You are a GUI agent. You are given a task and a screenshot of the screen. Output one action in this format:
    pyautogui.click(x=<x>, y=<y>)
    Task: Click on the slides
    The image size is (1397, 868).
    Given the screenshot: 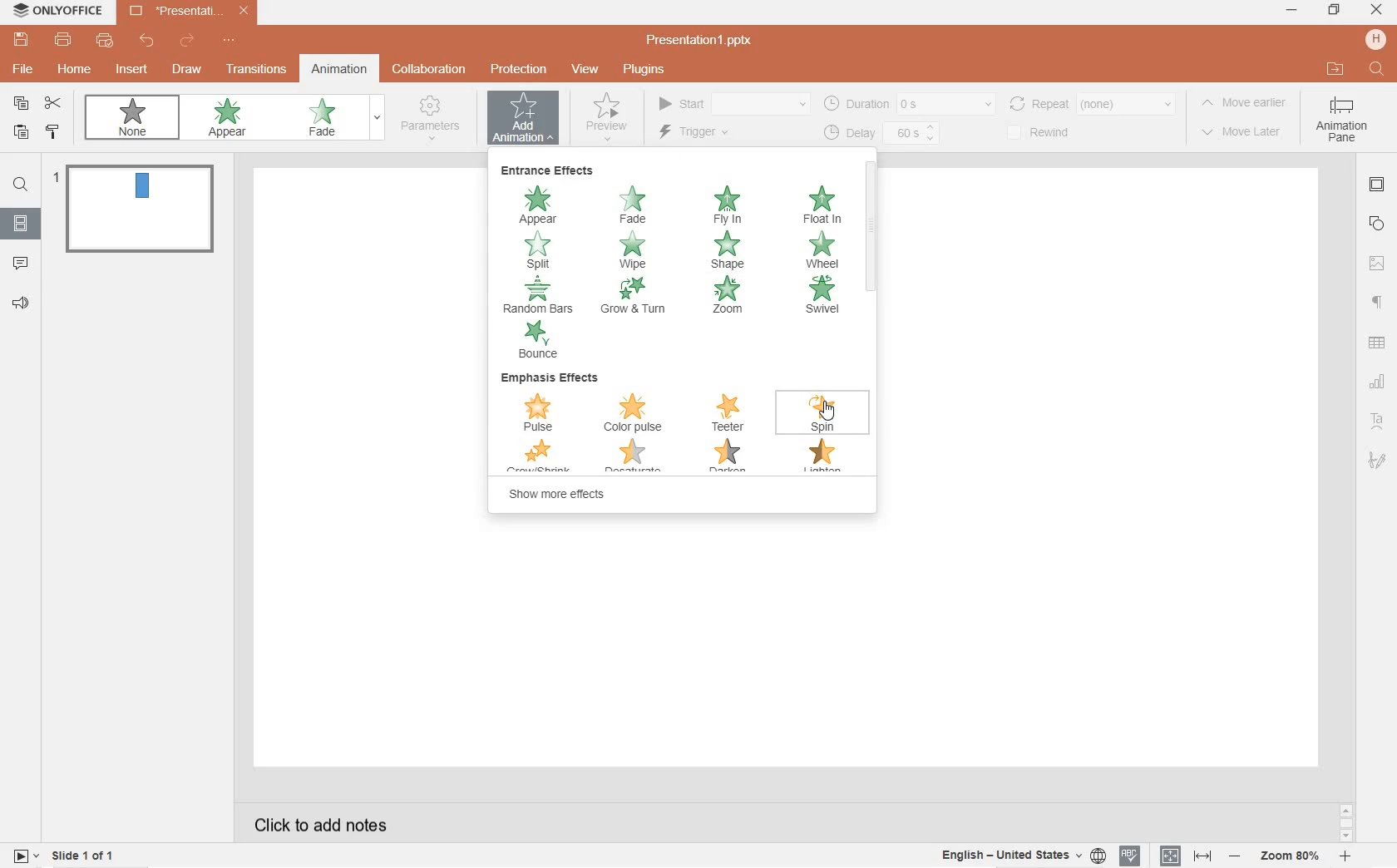 What is the action you would take?
    pyautogui.click(x=20, y=220)
    